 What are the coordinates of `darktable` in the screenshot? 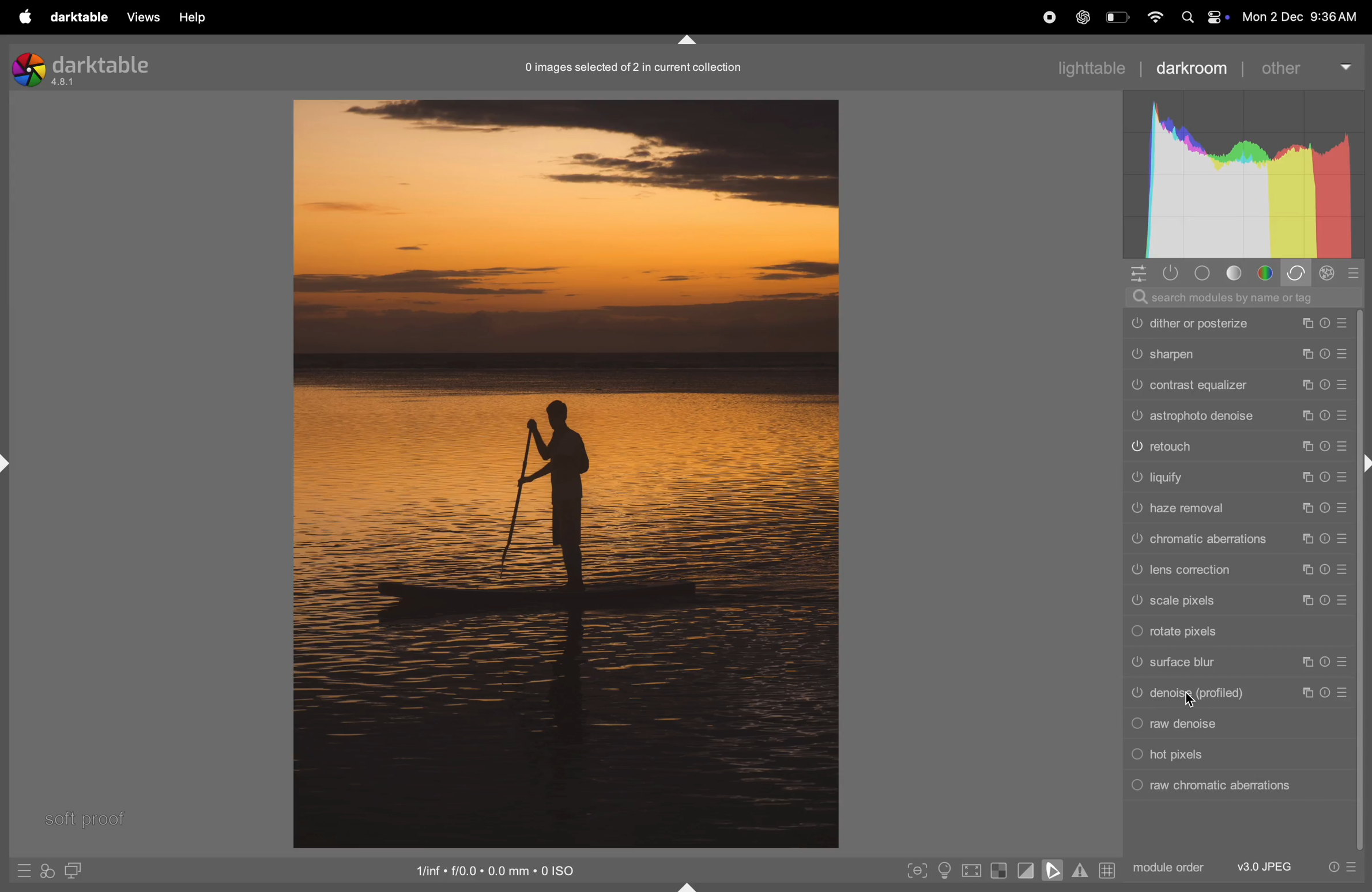 It's located at (77, 17).